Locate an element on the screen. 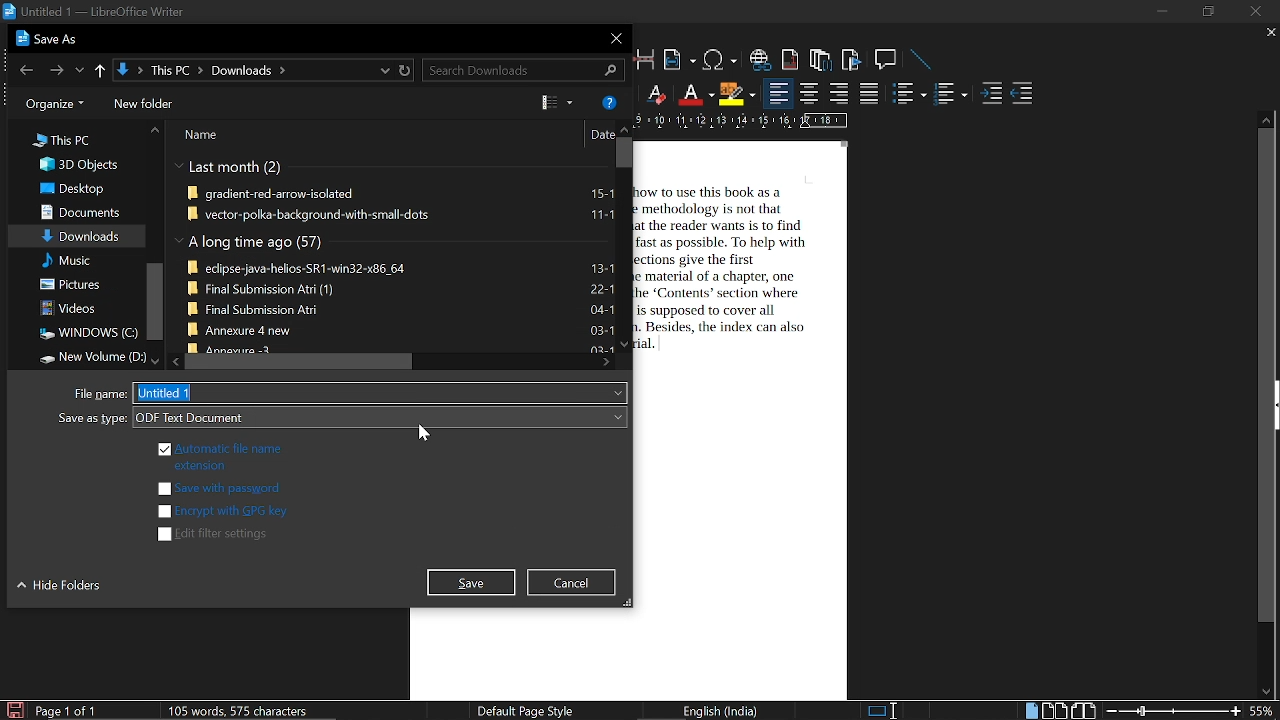 The height and width of the screenshot is (720, 1280). increase indent is located at coordinates (991, 94).